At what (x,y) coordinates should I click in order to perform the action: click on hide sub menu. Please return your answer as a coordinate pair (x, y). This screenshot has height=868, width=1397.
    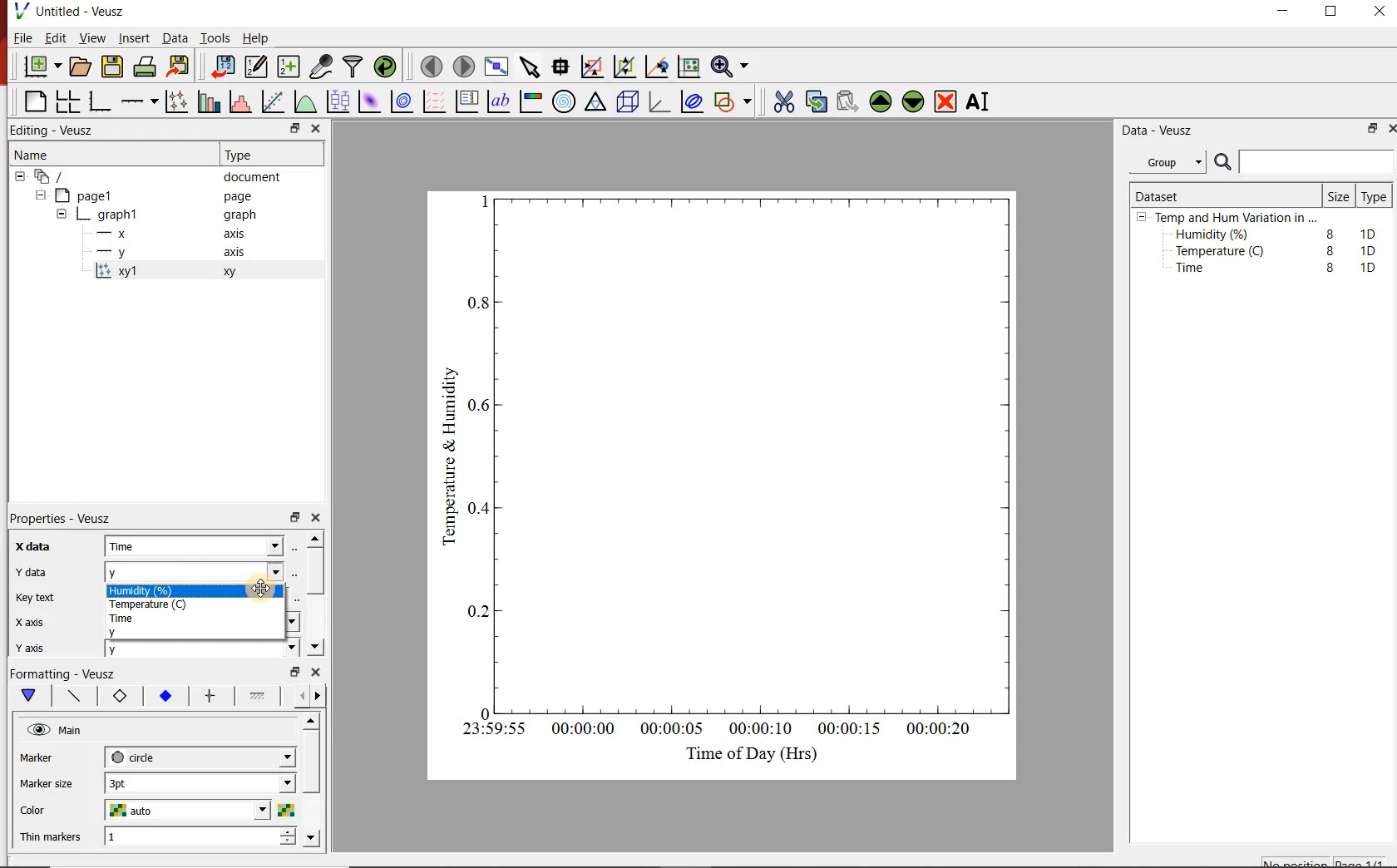
    Looking at the image, I should click on (43, 197).